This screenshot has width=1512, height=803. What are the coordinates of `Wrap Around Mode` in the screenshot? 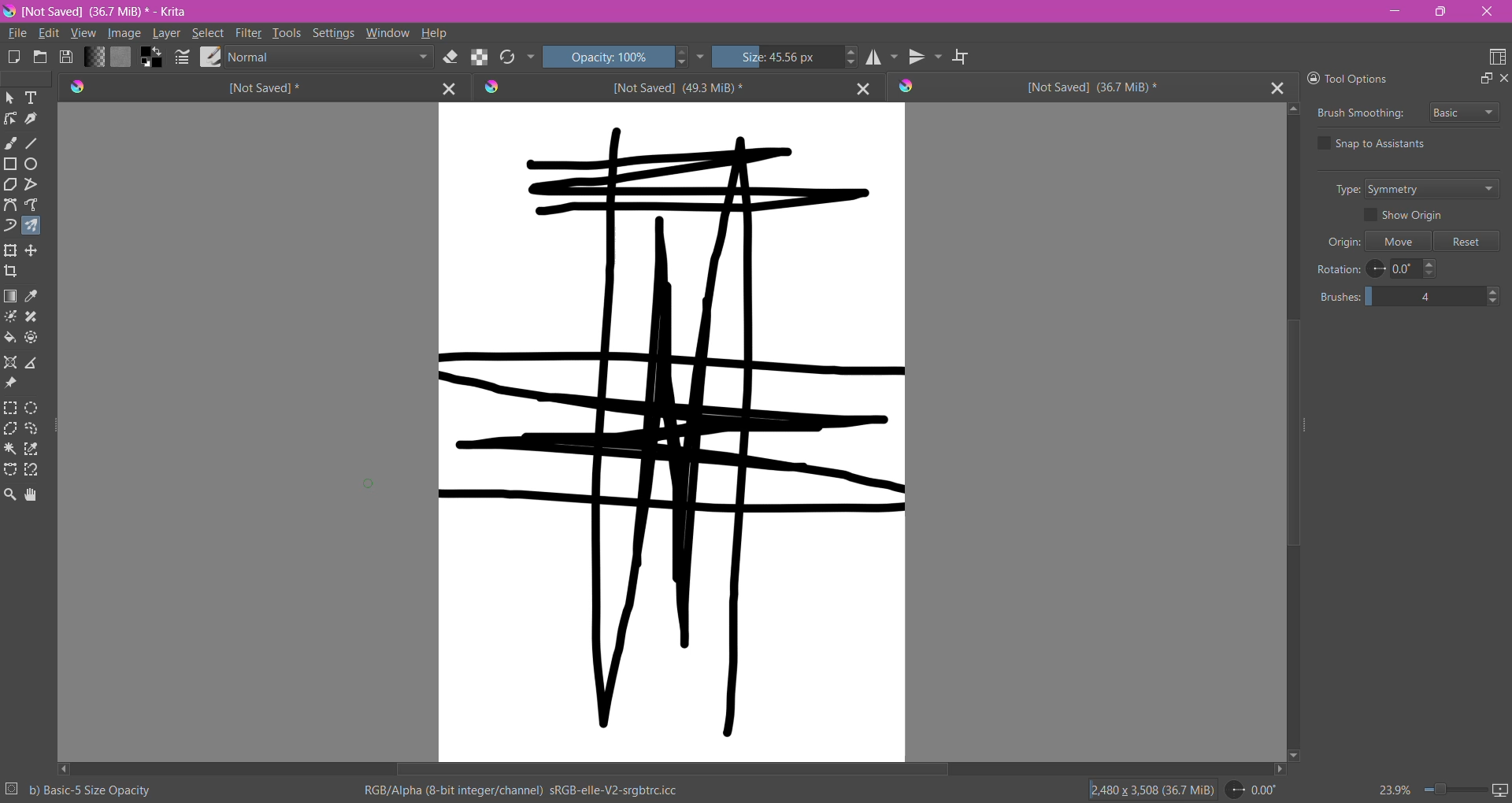 It's located at (962, 57).